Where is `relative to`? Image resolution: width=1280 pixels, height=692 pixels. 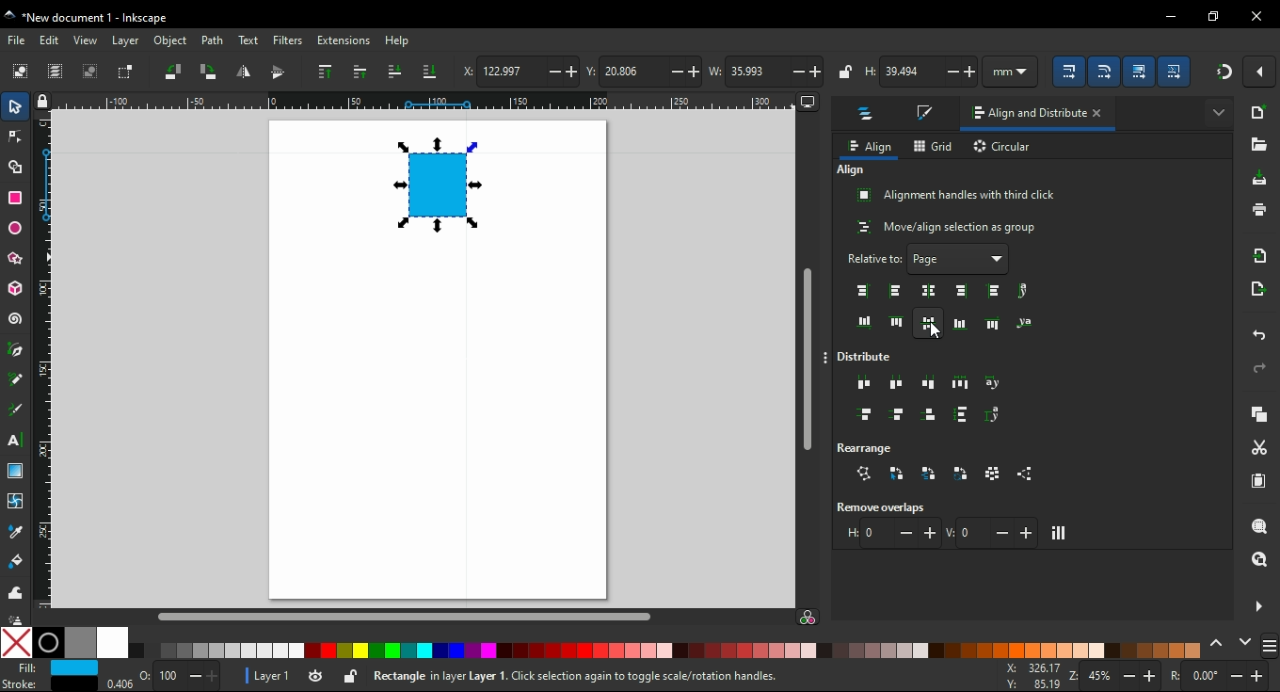
relative to is located at coordinates (929, 259).